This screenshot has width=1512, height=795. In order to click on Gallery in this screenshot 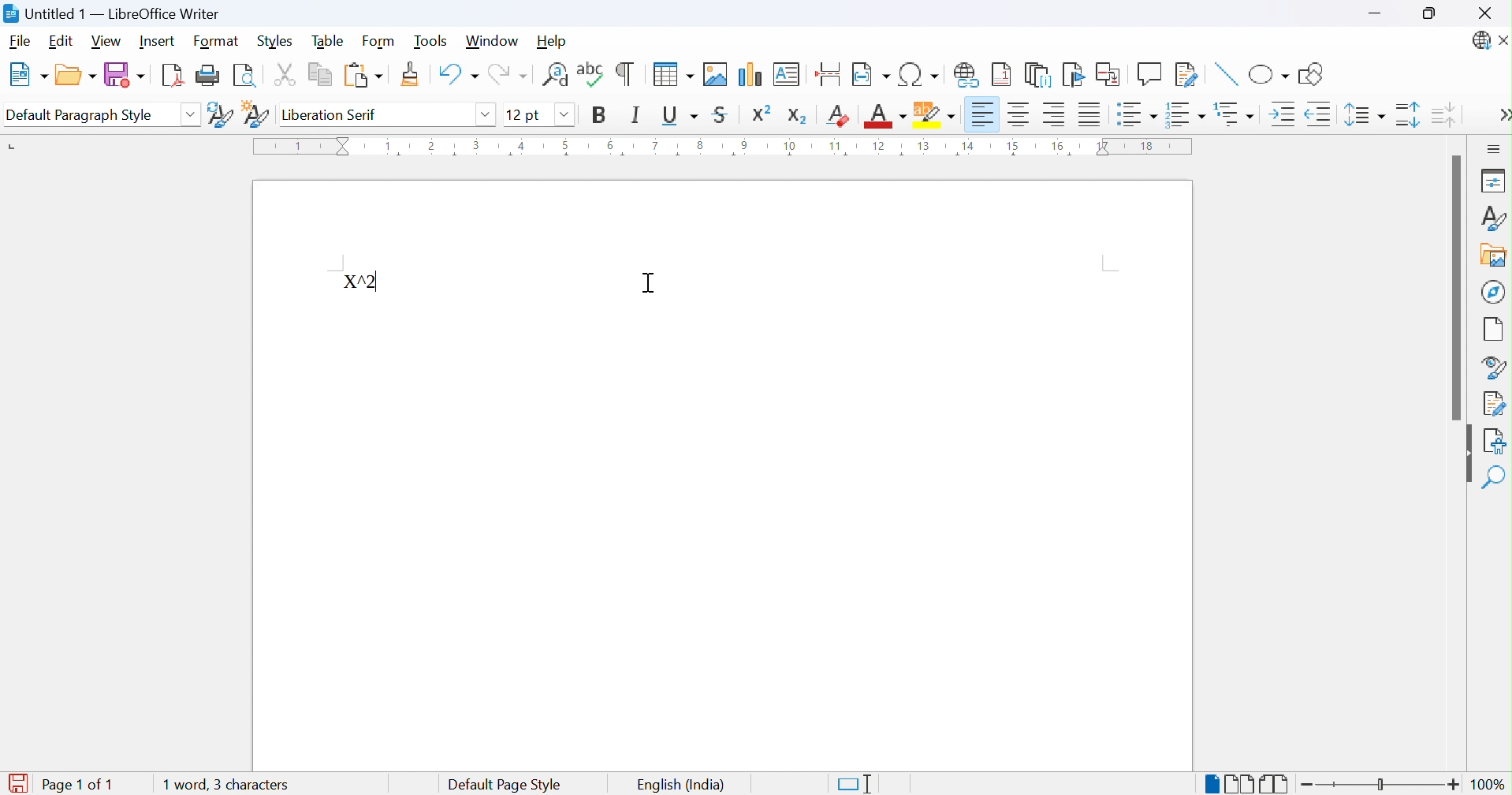, I will do `click(1493, 255)`.